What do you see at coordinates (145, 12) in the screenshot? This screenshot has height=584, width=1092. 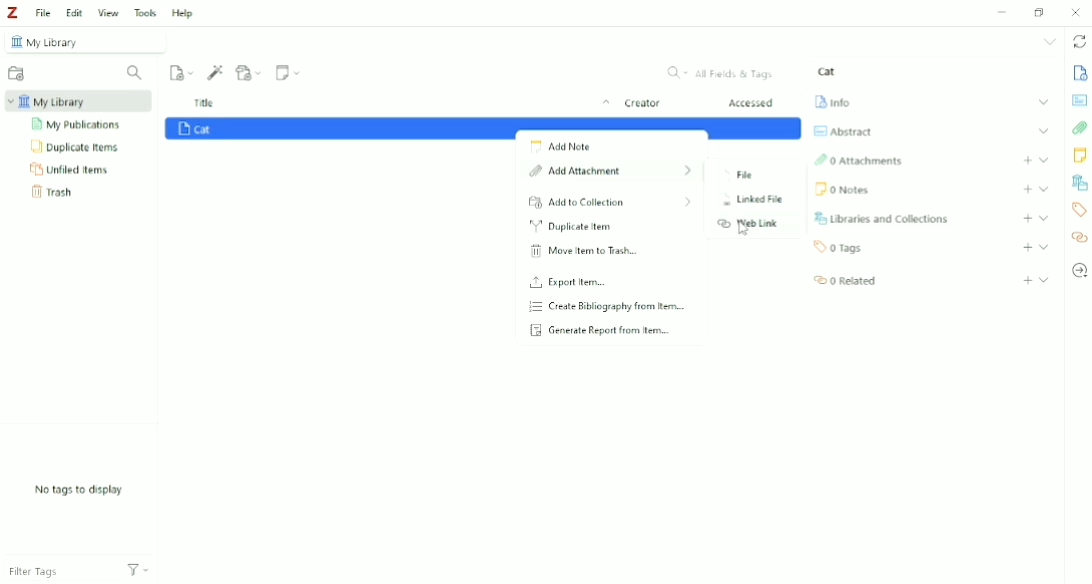 I see `Tools` at bounding box center [145, 12].